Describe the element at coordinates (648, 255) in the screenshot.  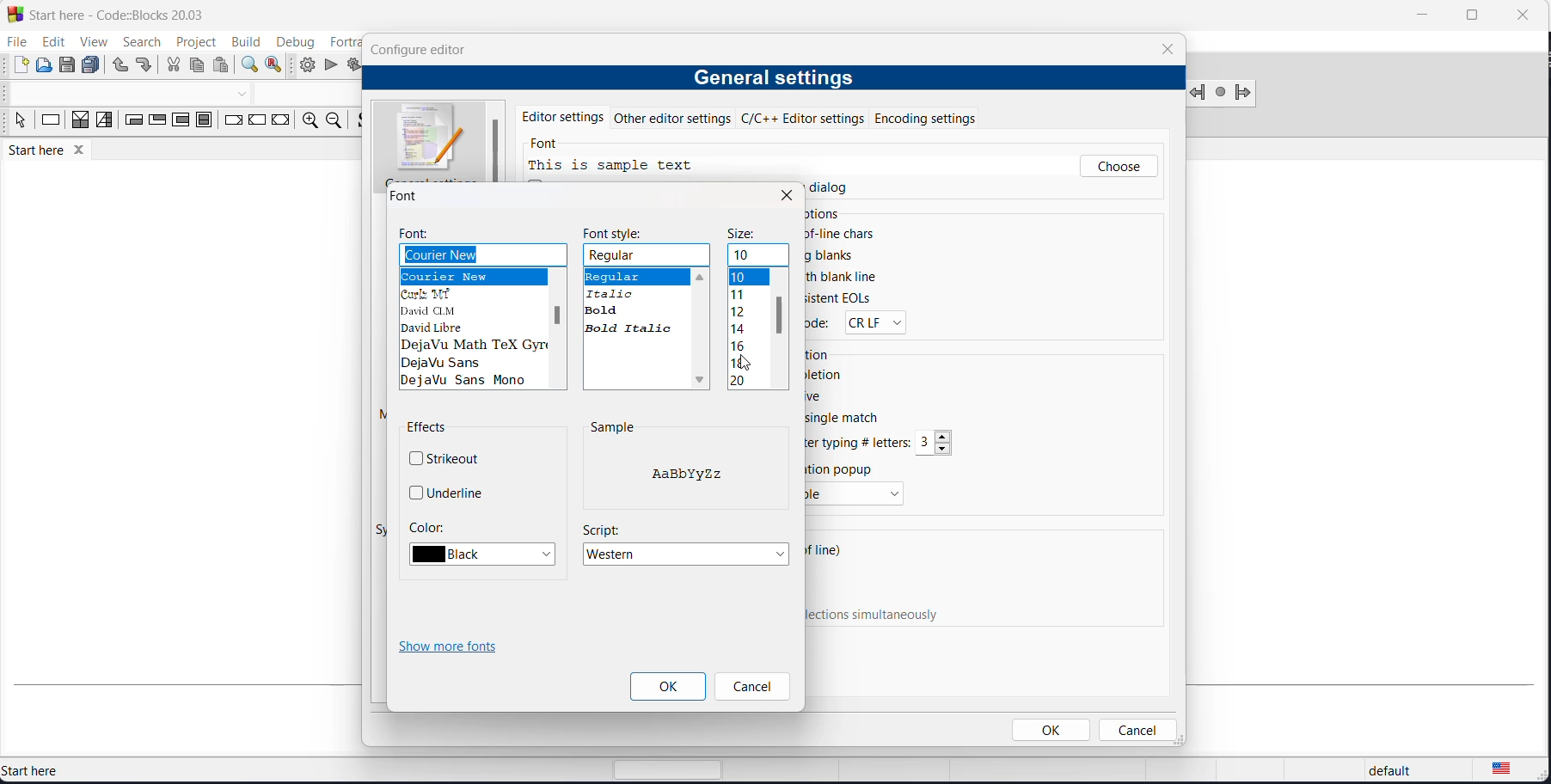
I see `regular` at that location.